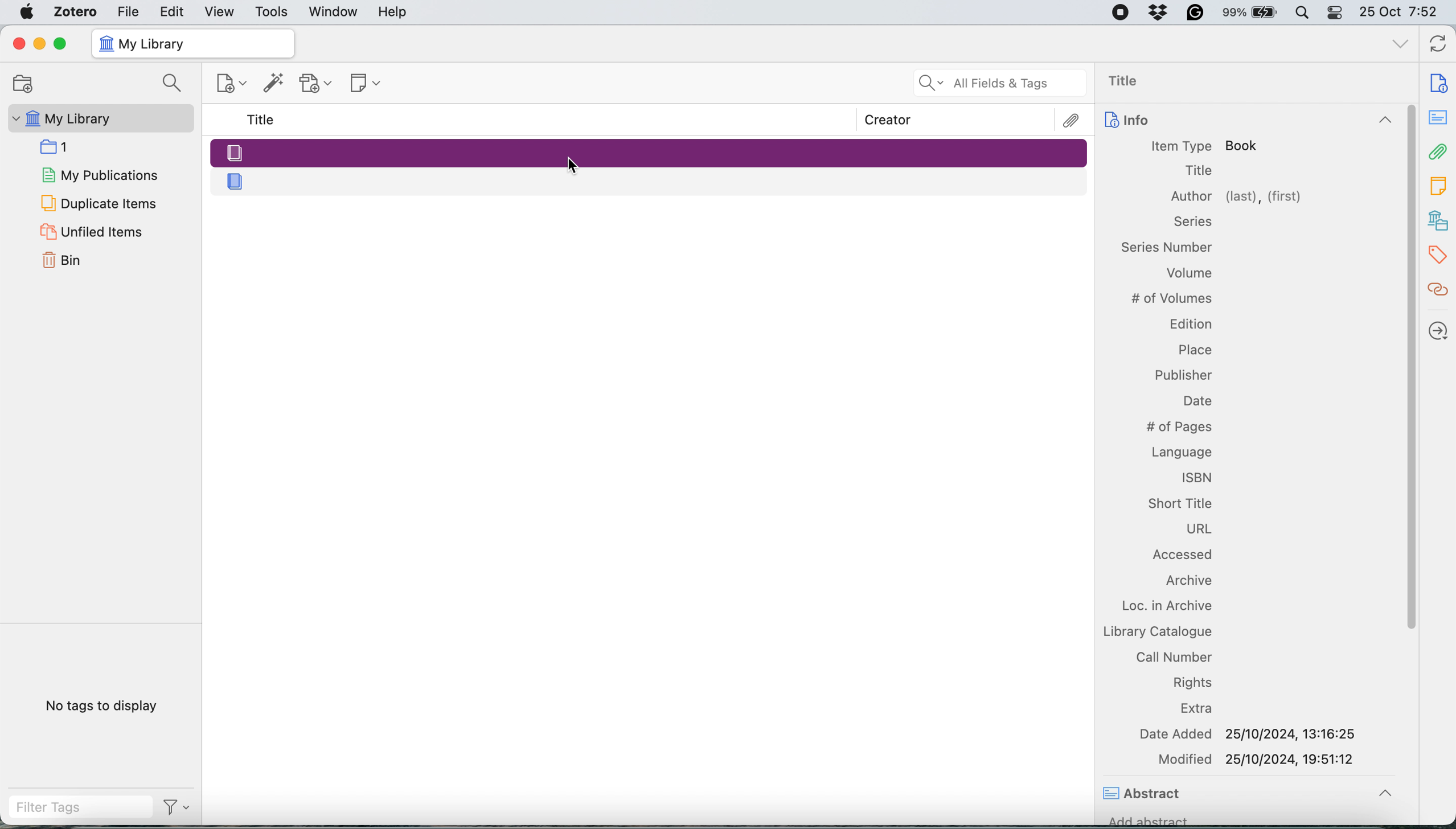  I want to click on My Library, so click(99, 118).